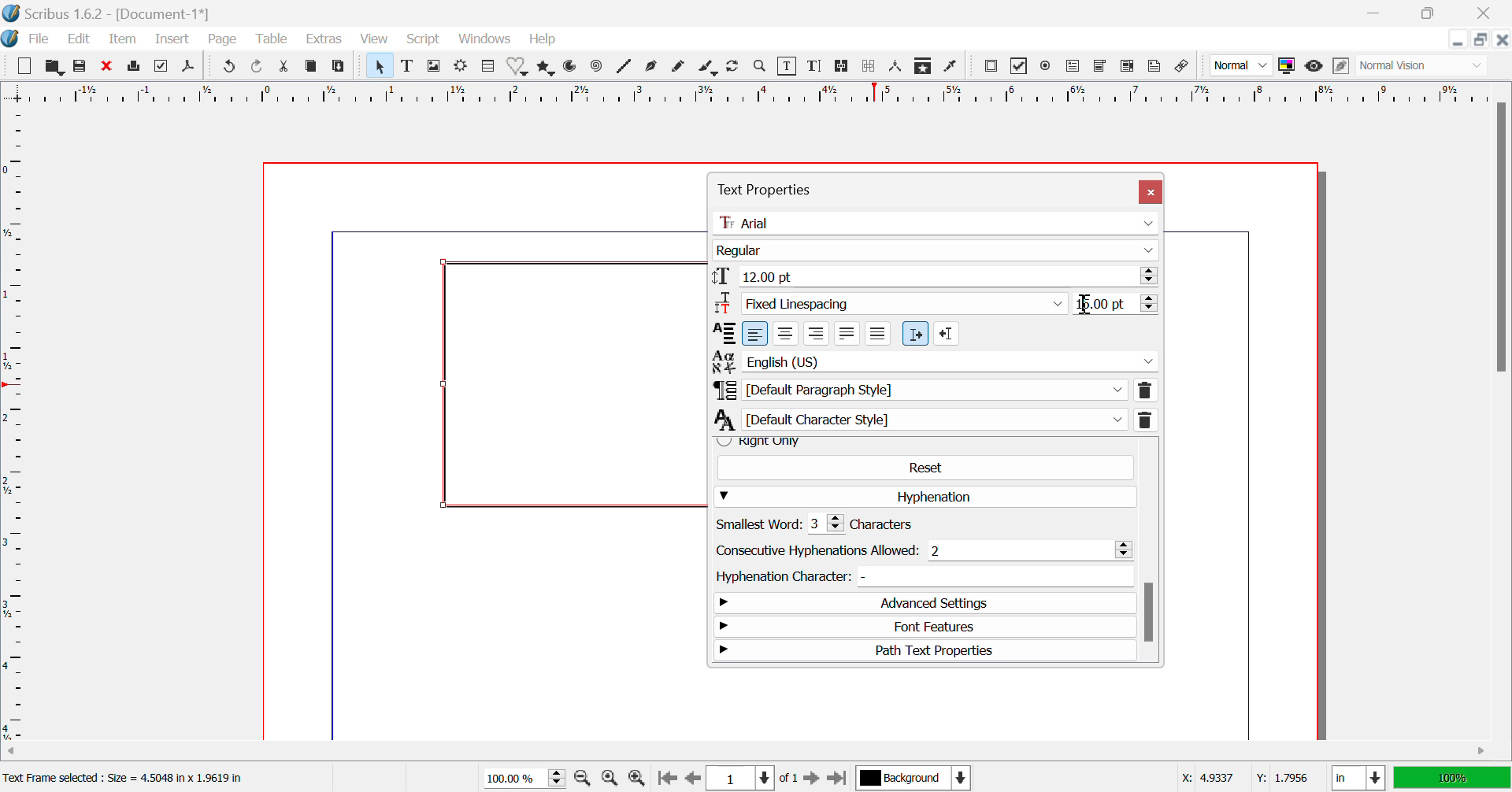 This screenshot has width=1512, height=792. Describe the element at coordinates (858, 187) in the screenshot. I see `Text Properties` at that location.